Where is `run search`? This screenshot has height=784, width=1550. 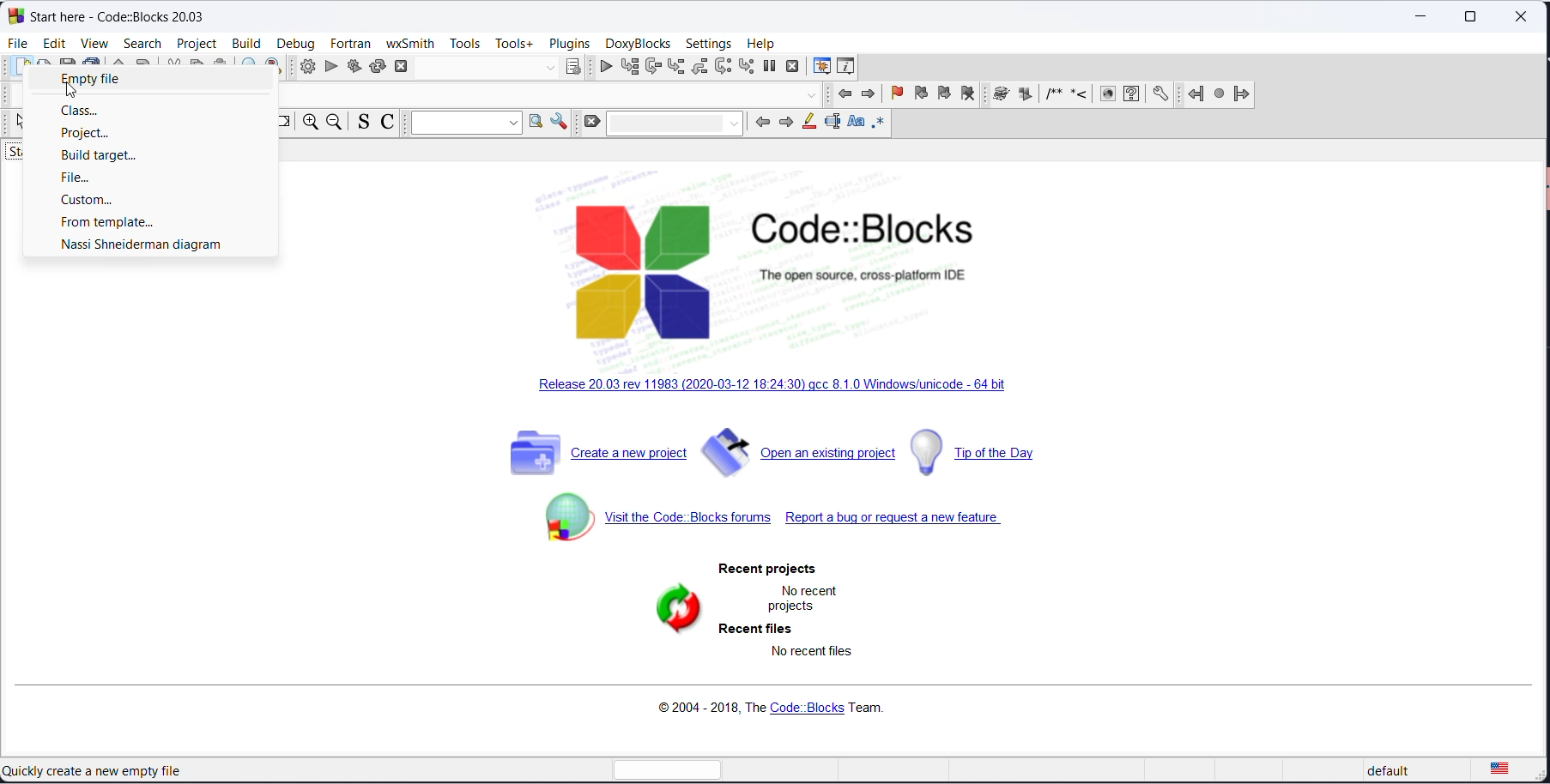
run search is located at coordinates (535, 124).